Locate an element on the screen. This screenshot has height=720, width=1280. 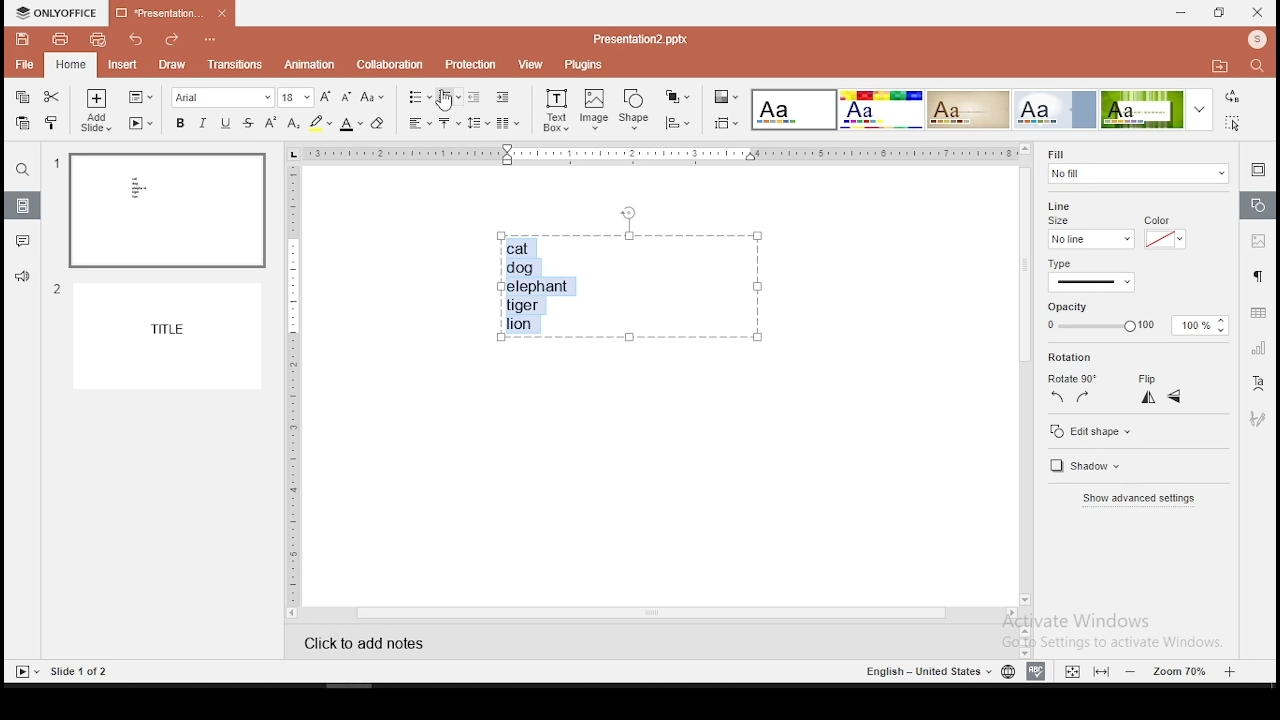
underline is located at coordinates (226, 122).